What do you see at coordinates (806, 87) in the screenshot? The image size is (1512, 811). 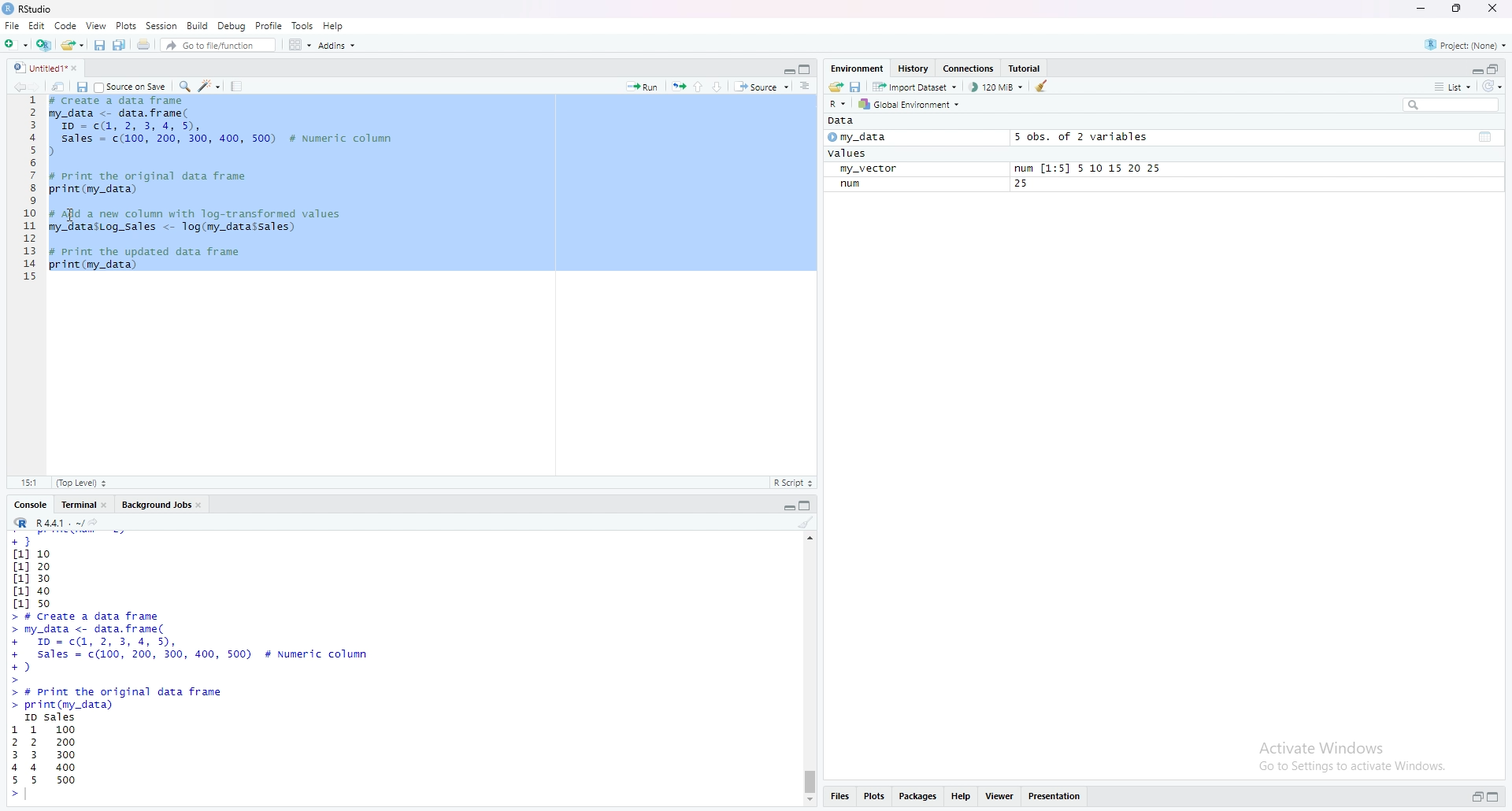 I see `show document outline` at bounding box center [806, 87].